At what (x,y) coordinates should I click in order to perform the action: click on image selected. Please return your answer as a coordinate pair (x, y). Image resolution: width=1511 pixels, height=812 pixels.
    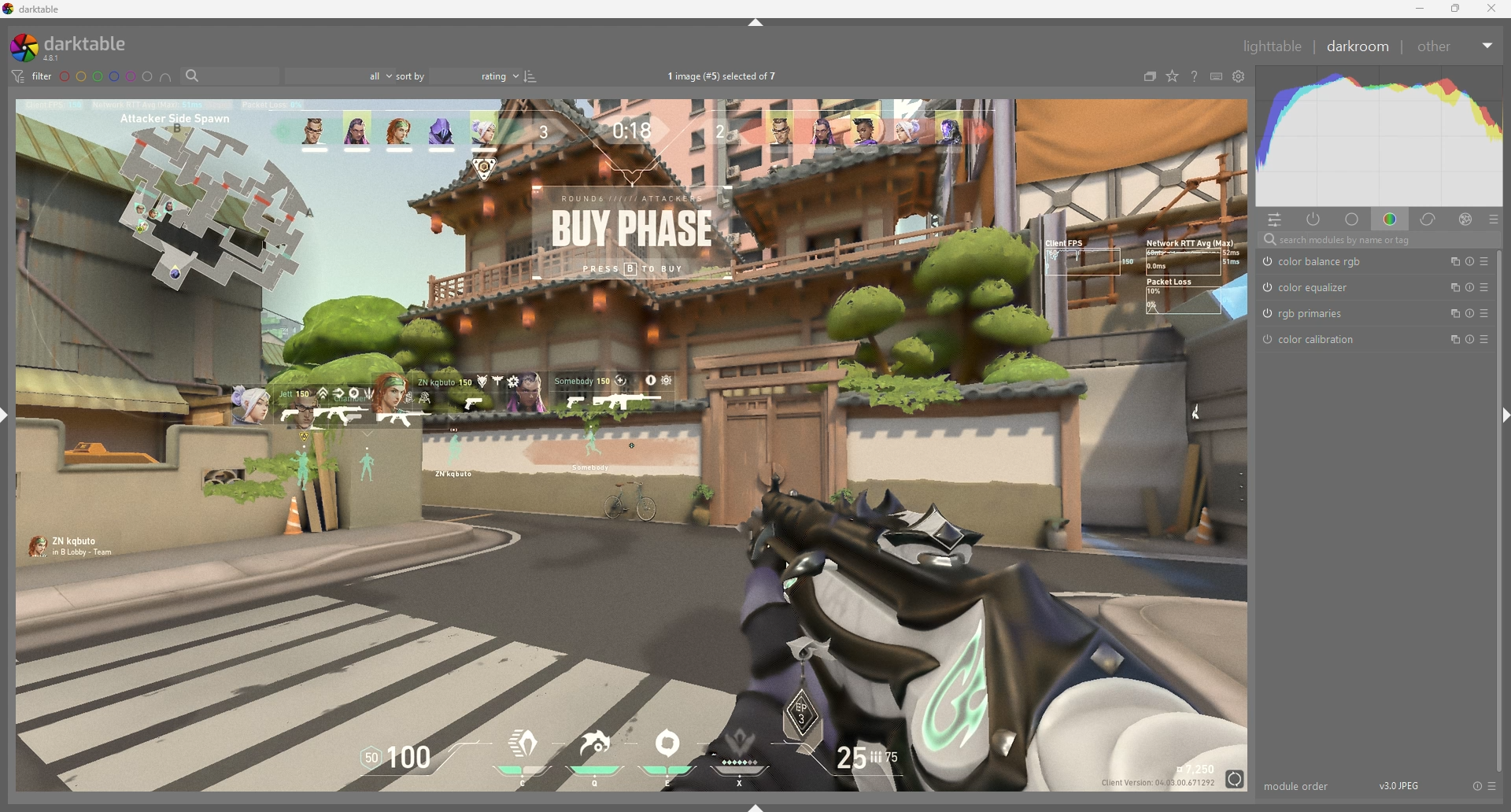
    Looking at the image, I should click on (728, 76).